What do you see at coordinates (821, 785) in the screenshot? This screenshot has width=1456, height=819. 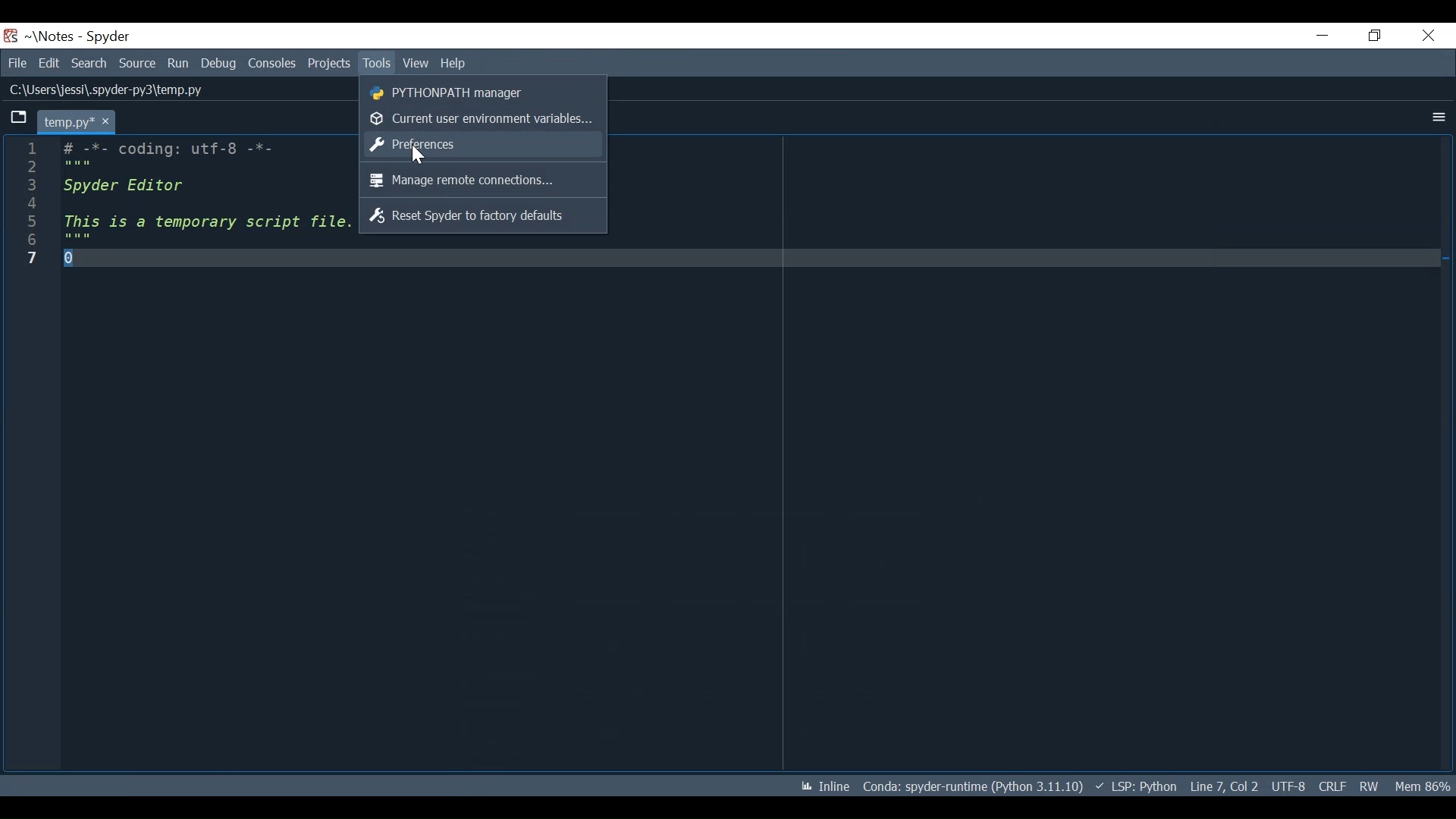 I see `Toggle Inline and Interactive Matplotlib plotting` at bounding box center [821, 785].